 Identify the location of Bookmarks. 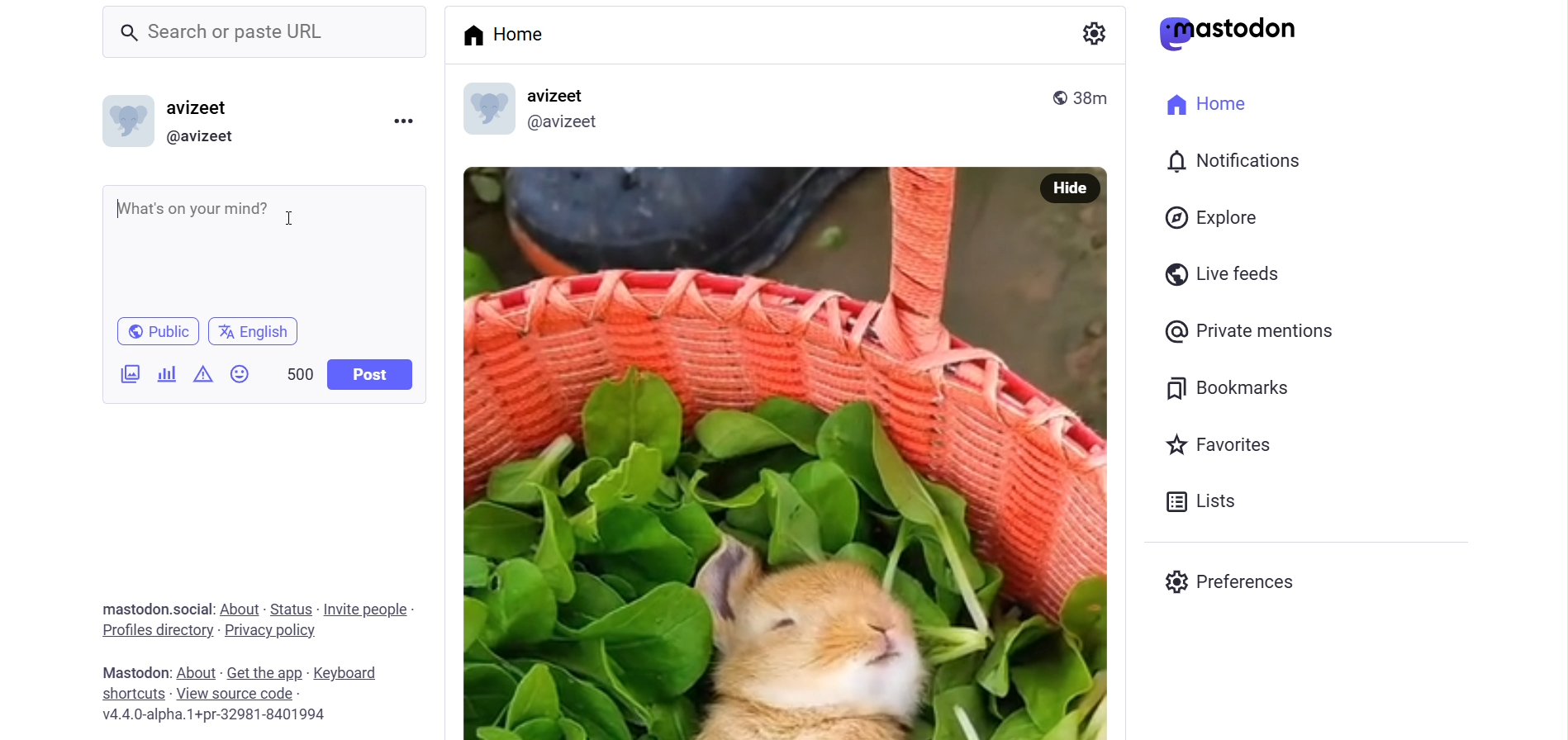
(1227, 391).